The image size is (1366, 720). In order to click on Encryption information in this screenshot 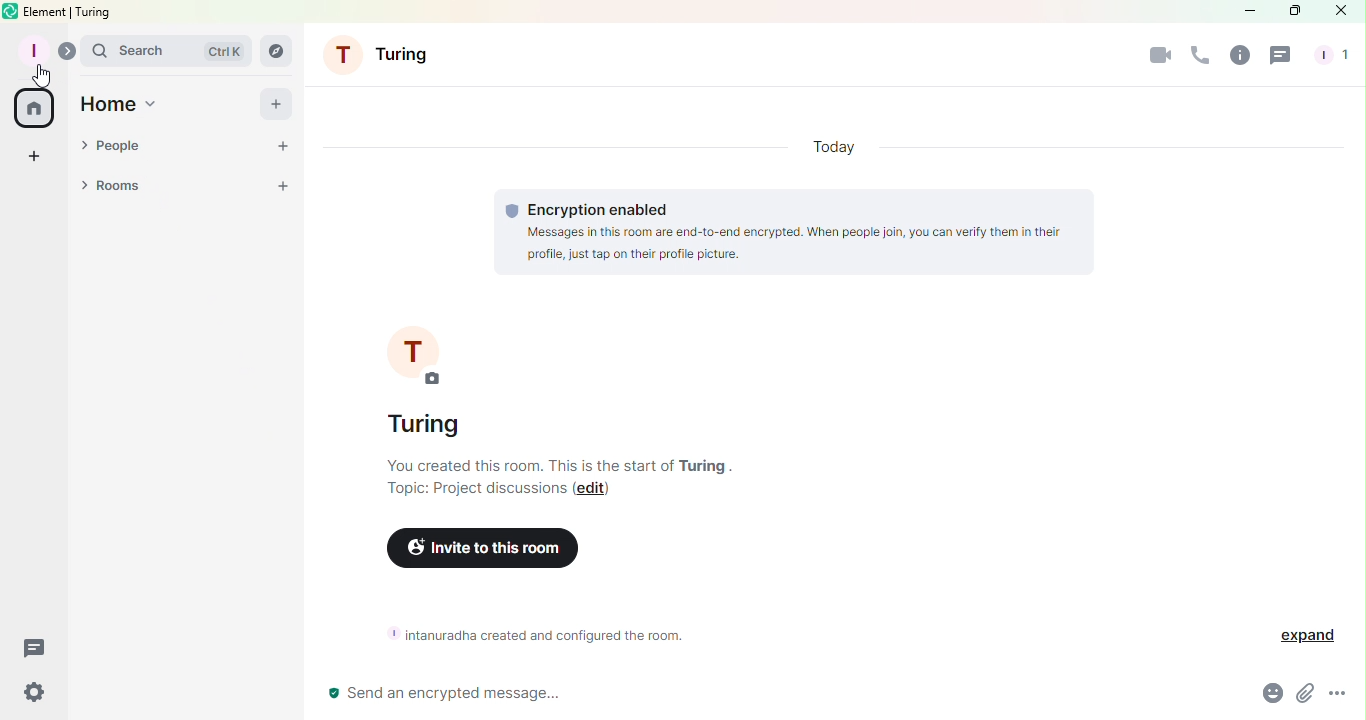, I will do `click(794, 233)`.